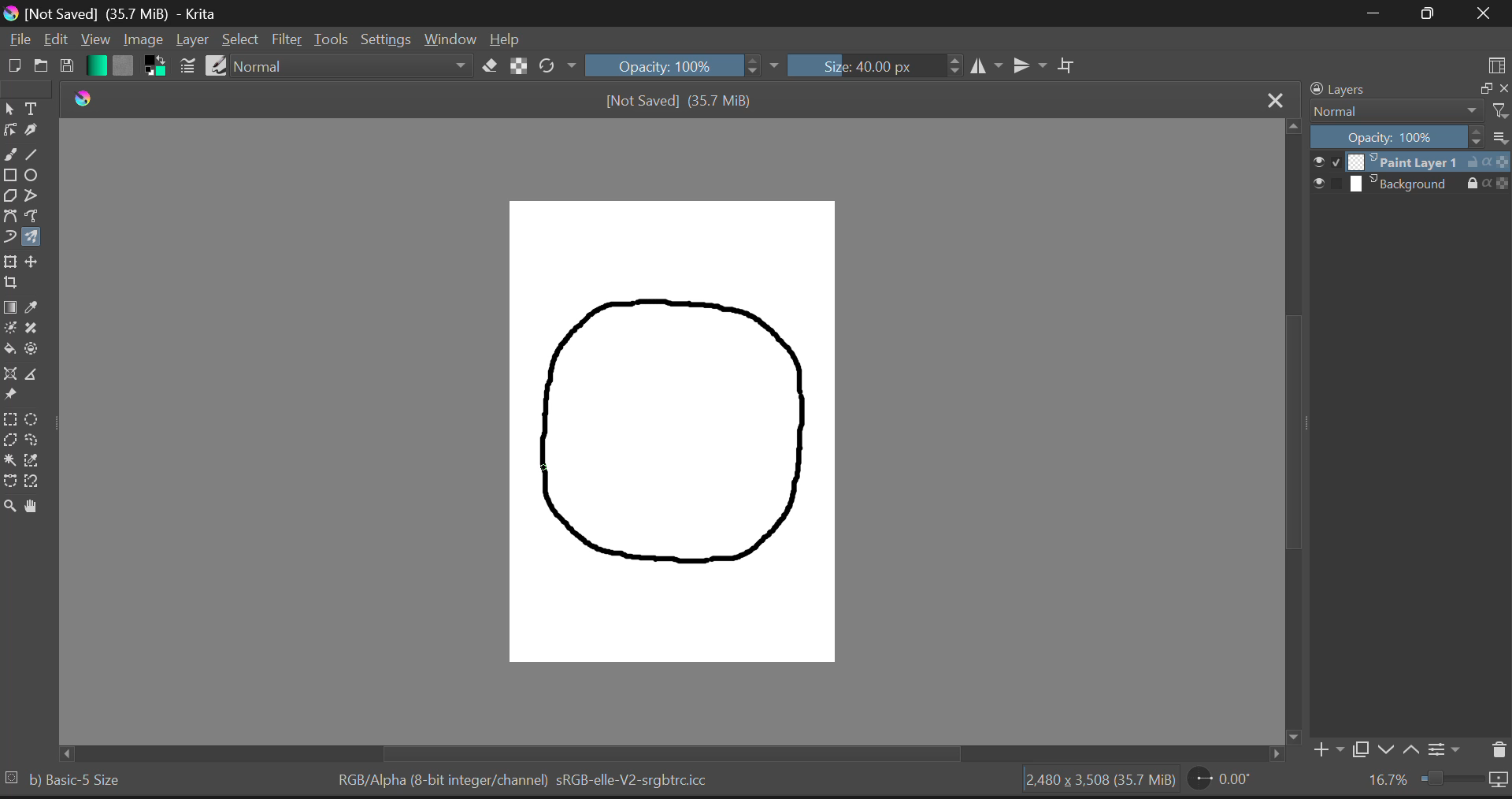 The height and width of the screenshot is (799, 1512). Describe the element at coordinates (1410, 185) in the screenshot. I see `Background Layer` at that location.